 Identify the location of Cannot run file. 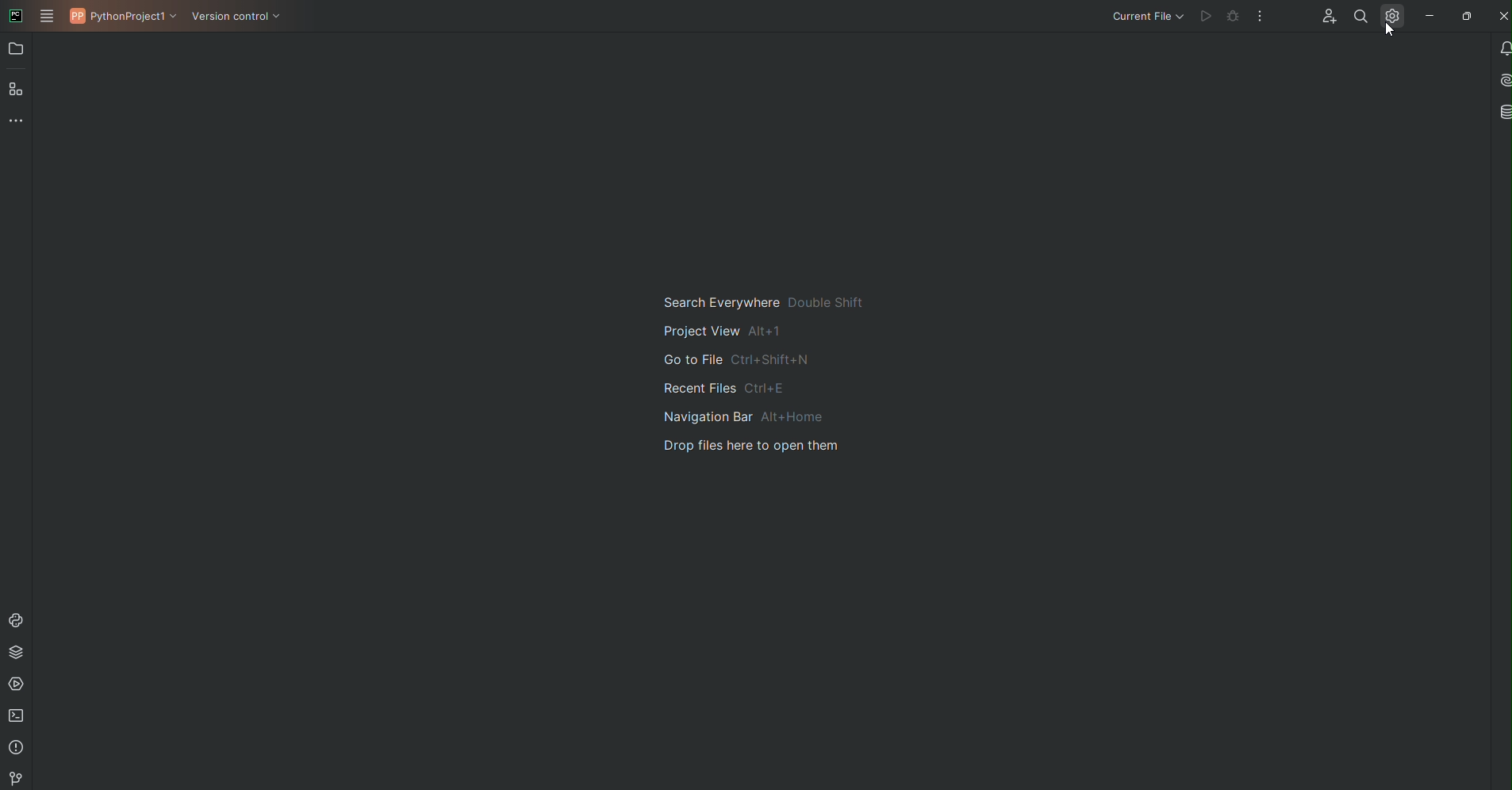
(1215, 17).